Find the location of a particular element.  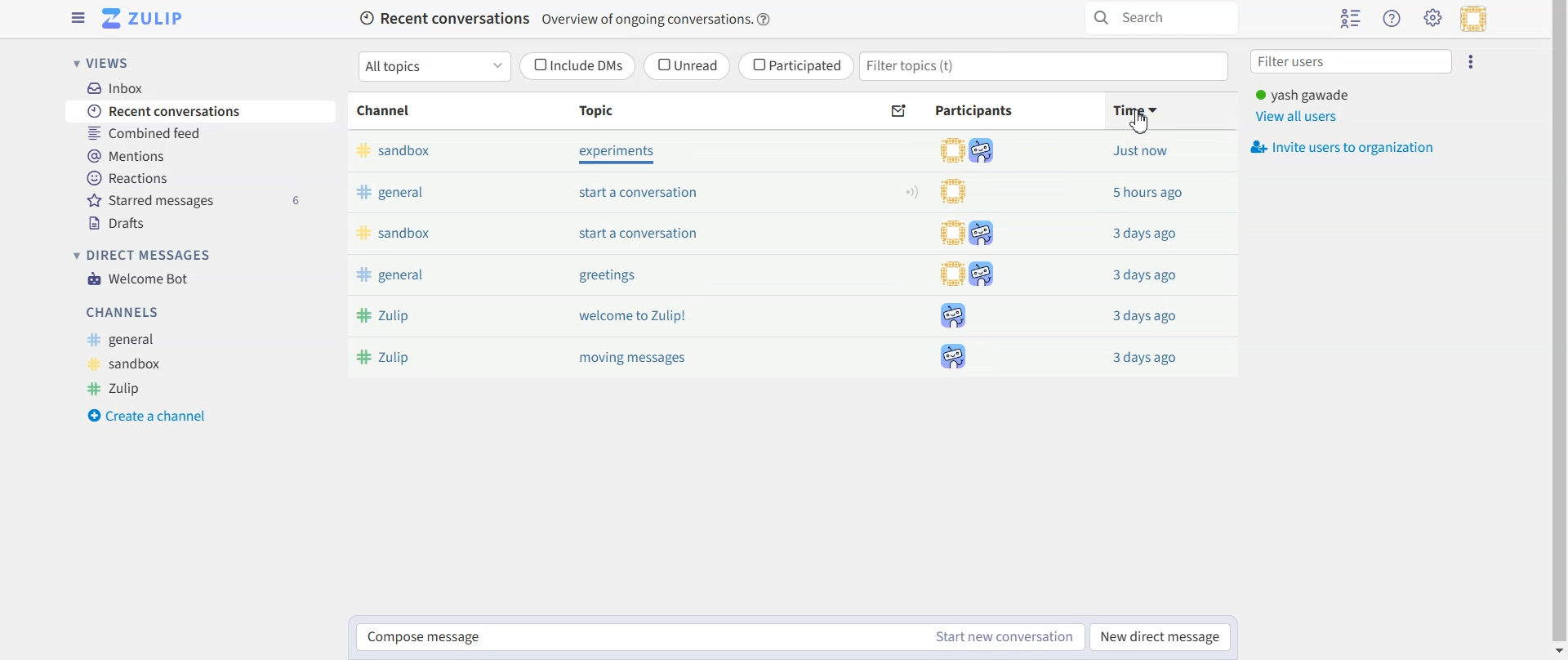

New direct message is located at coordinates (1162, 637).